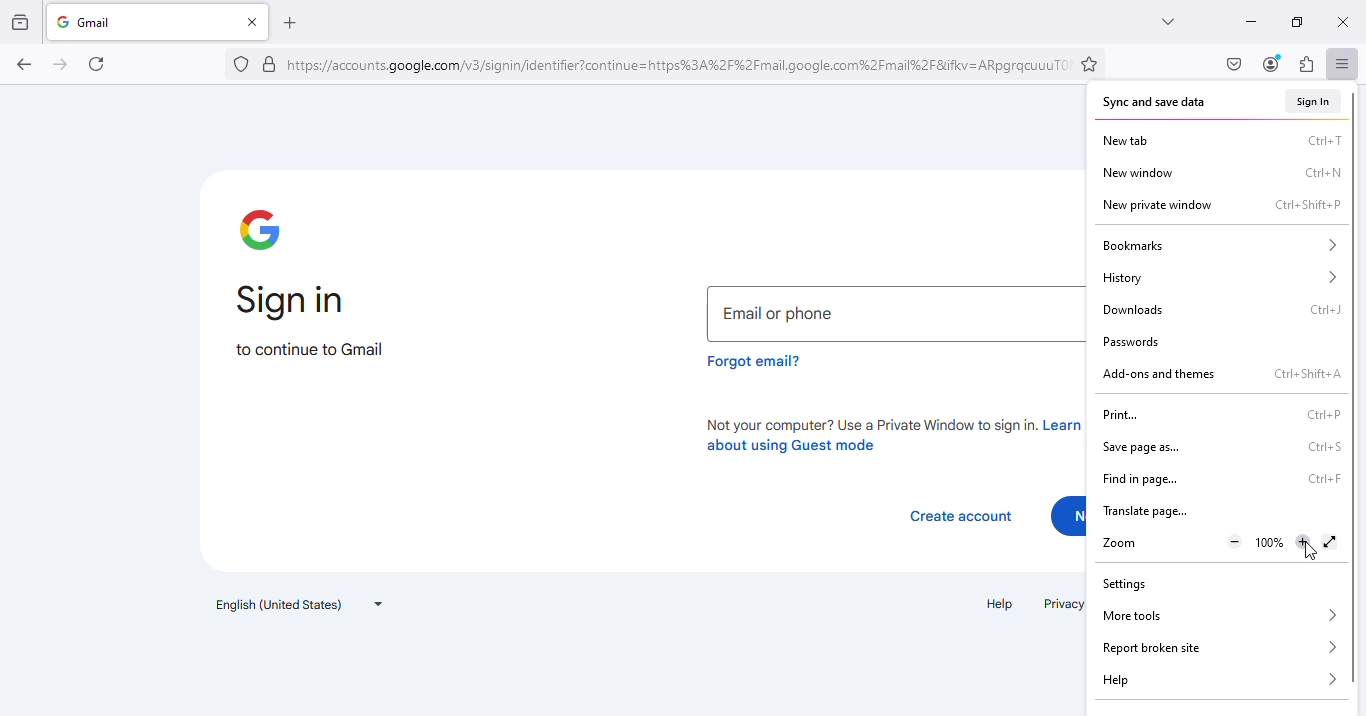 Image resolution: width=1366 pixels, height=716 pixels. Describe the element at coordinates (894, 314) in the screenshot. I see `email or phone` at that location.